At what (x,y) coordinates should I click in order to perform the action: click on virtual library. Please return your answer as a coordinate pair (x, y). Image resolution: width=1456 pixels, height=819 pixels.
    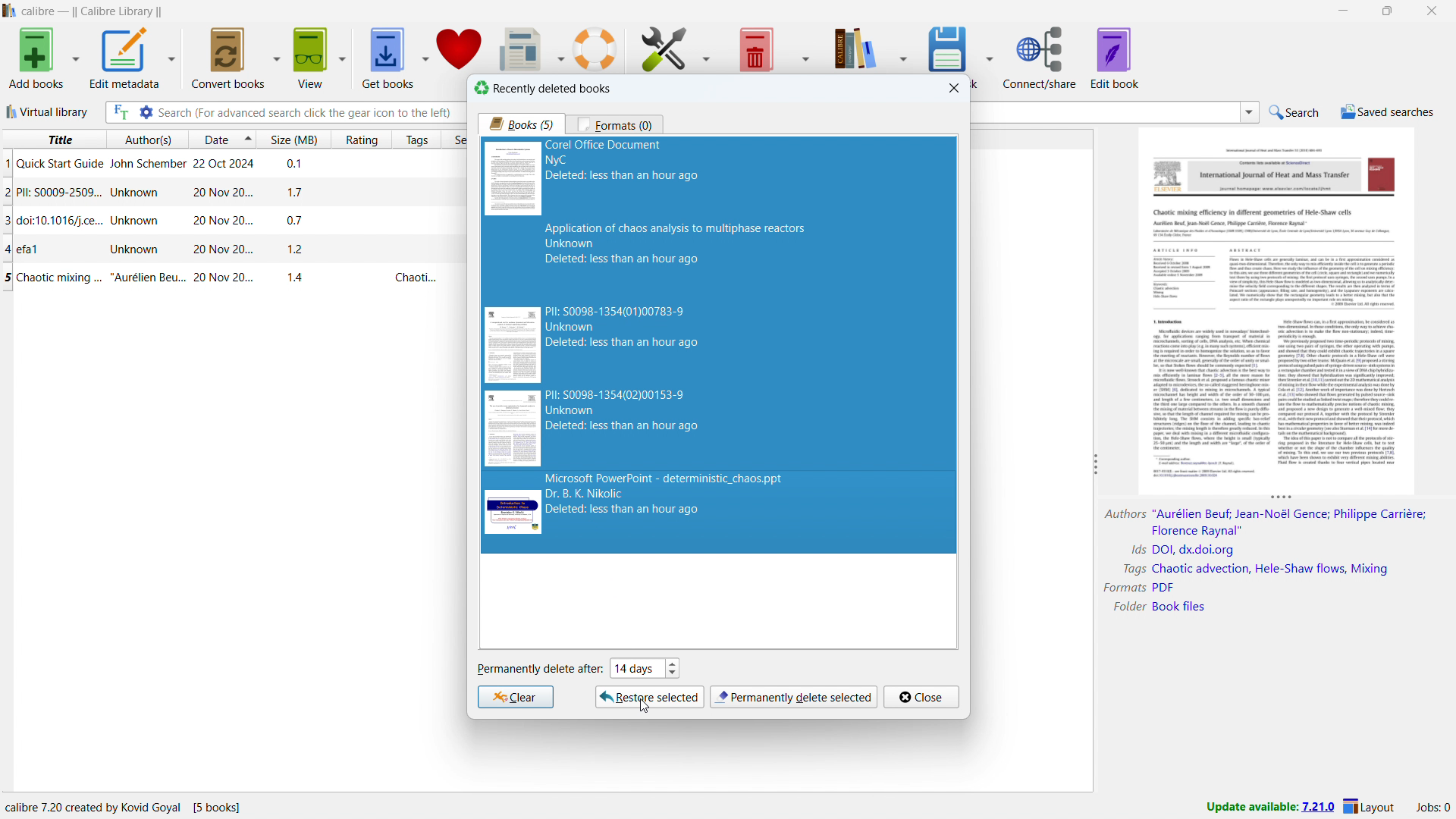
    Looking at the image, I should click on (46, 111).